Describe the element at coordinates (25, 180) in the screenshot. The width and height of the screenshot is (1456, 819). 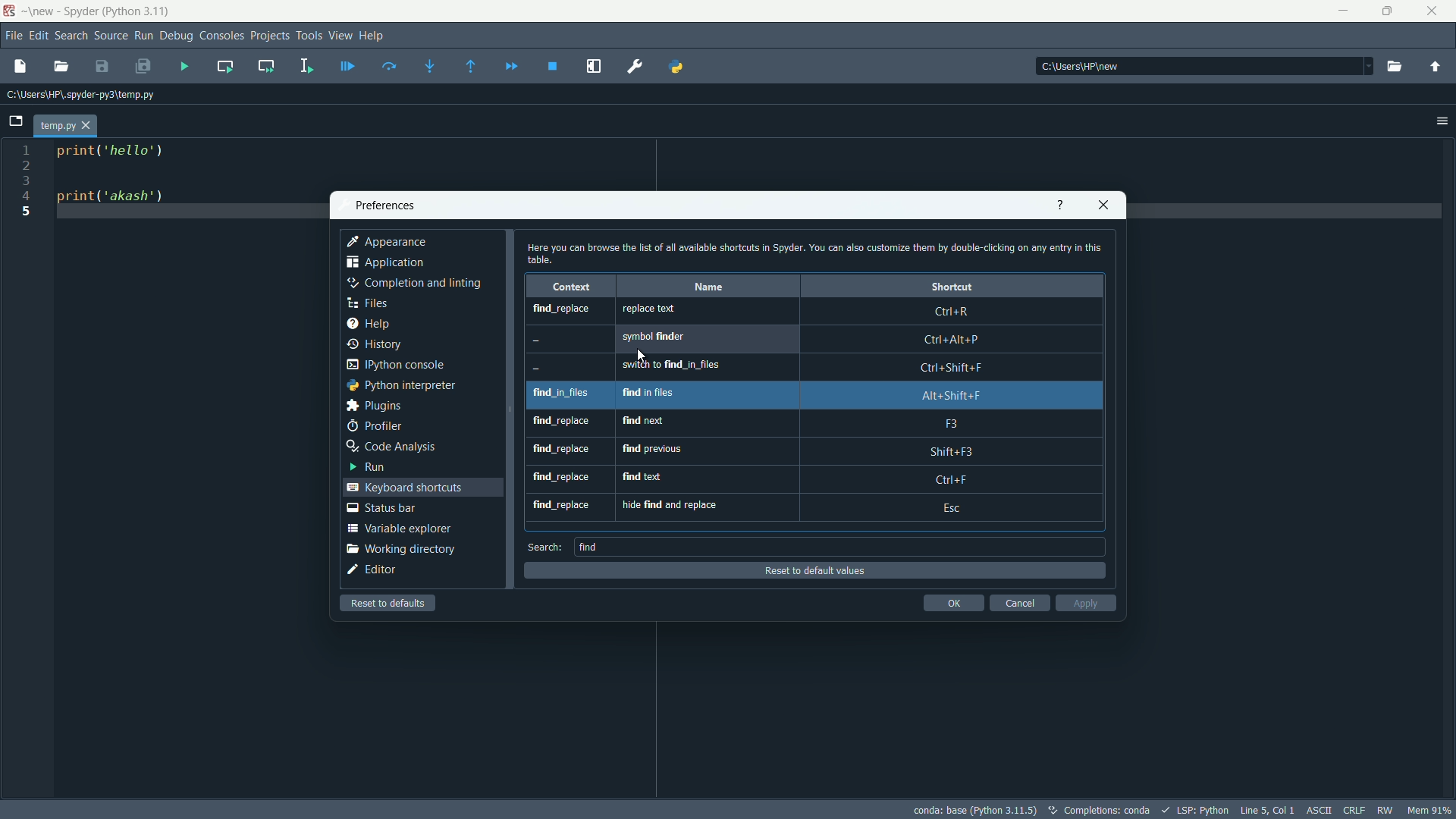
I see `3` at that location.